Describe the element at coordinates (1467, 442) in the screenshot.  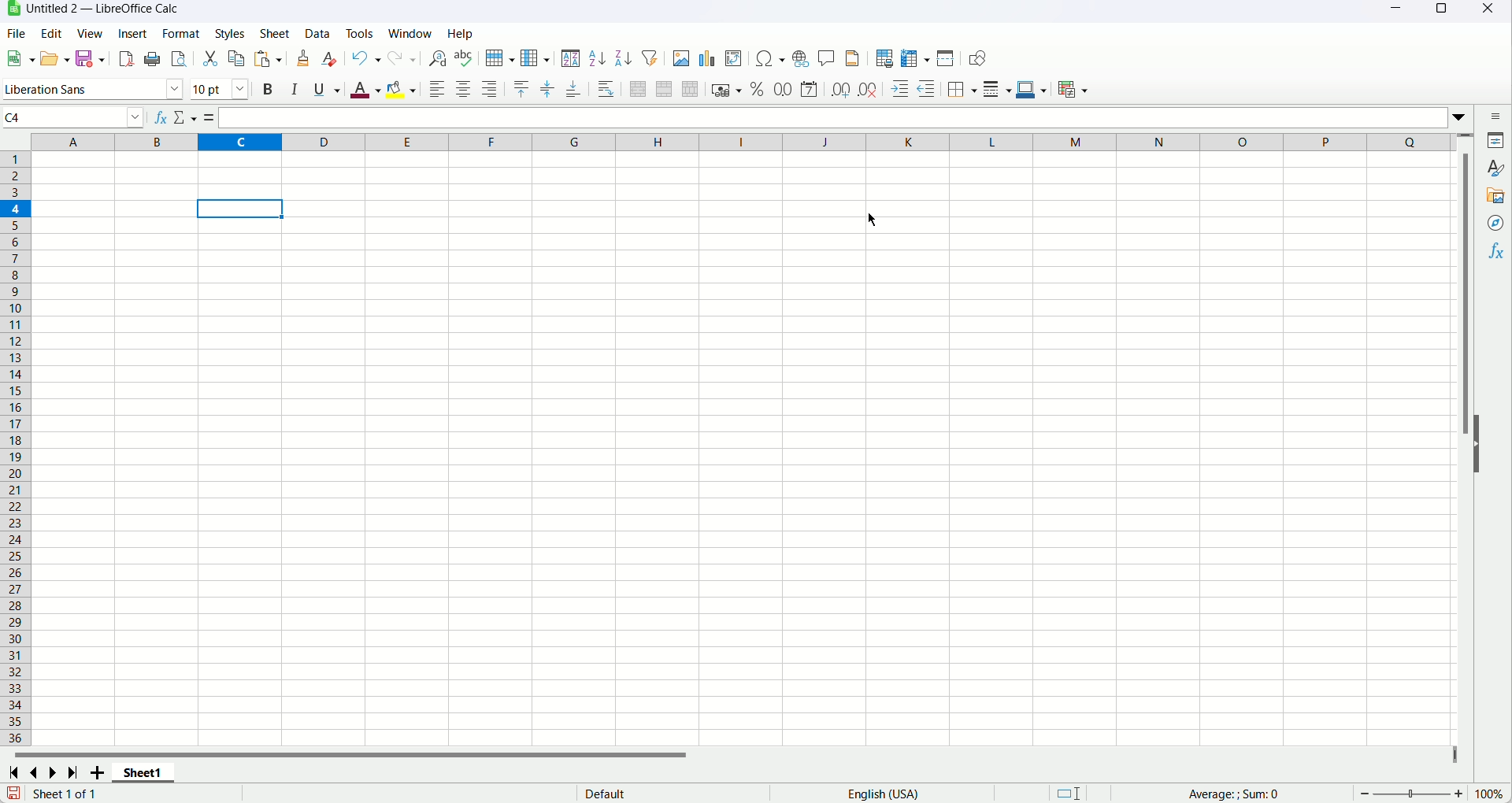
I see `Vertical scroll bar` at that location.